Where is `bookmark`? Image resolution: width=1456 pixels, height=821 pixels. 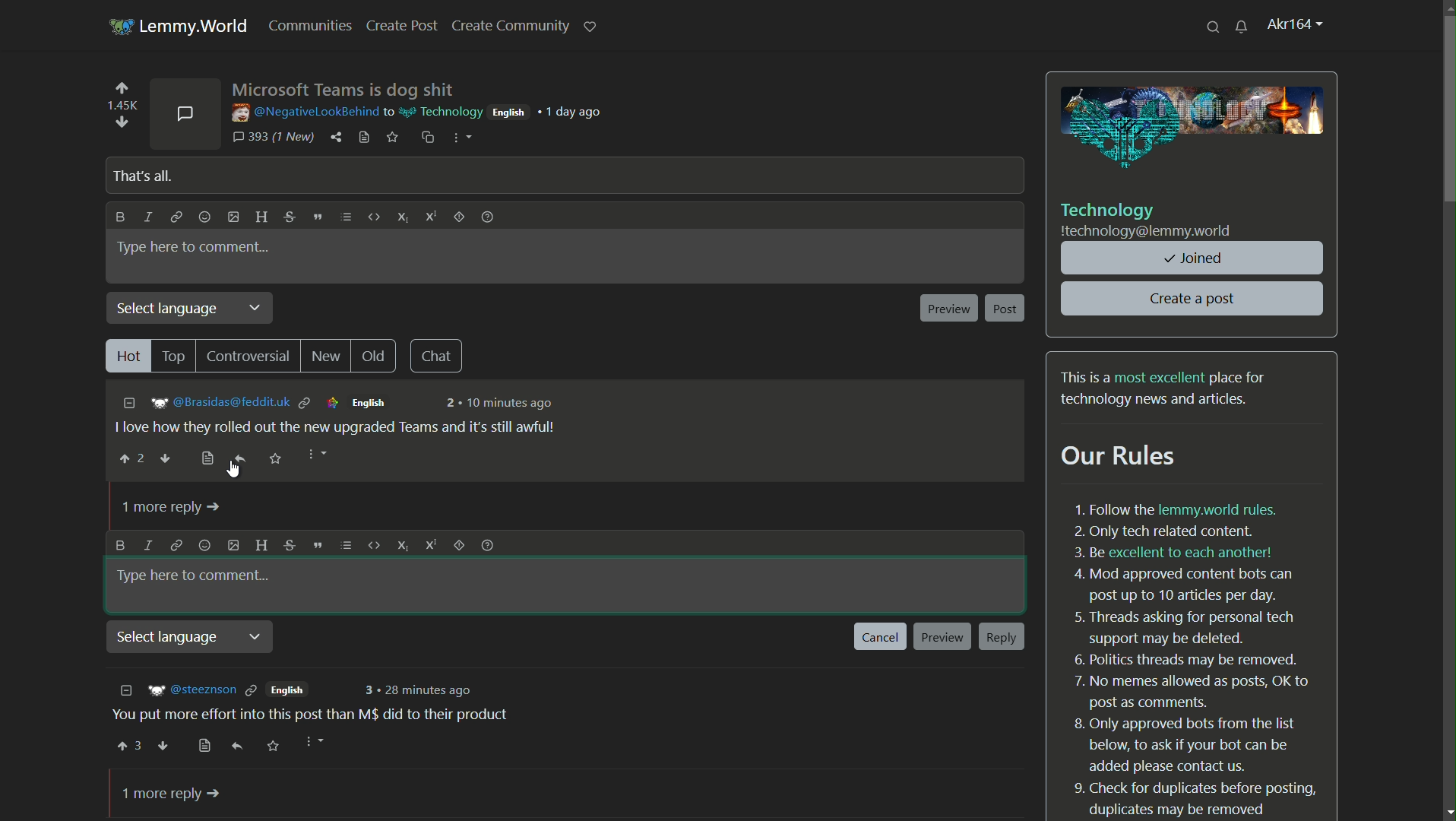
bookmark is located at coordinates (206, 458).